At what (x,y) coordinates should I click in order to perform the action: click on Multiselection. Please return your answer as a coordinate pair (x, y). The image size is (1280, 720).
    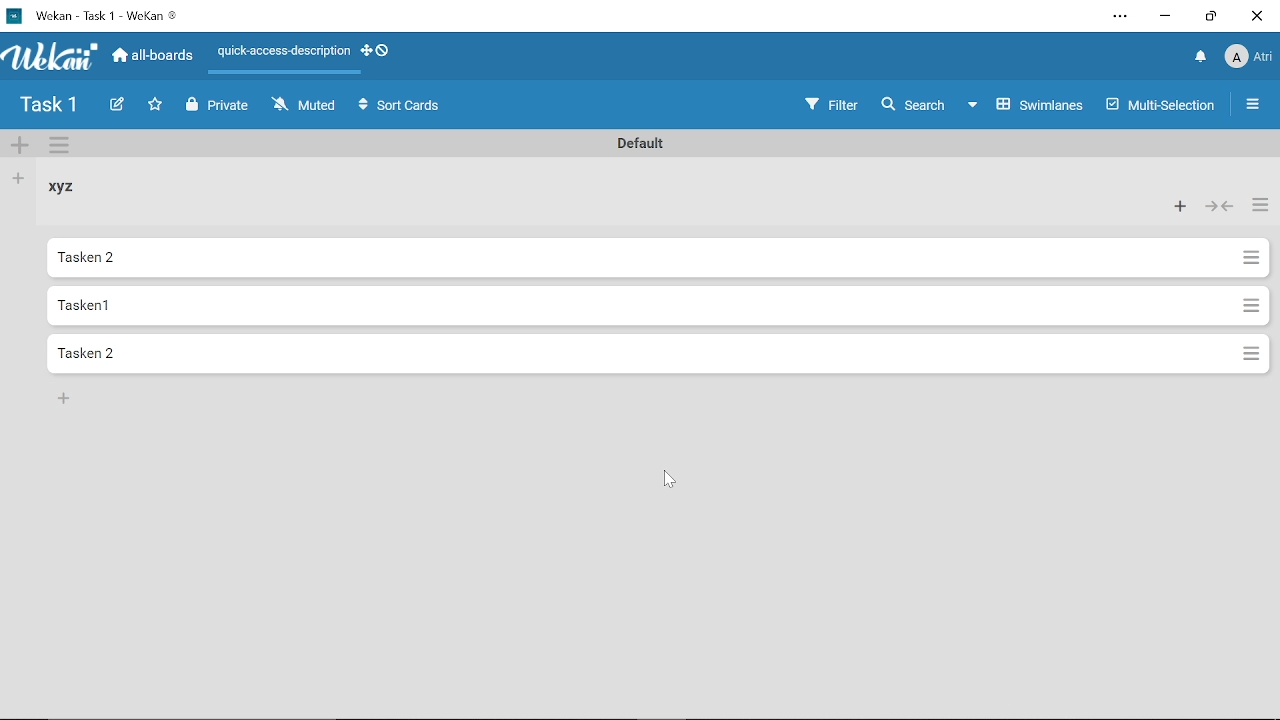
    Looking at the image, I should click on (1162, 104).